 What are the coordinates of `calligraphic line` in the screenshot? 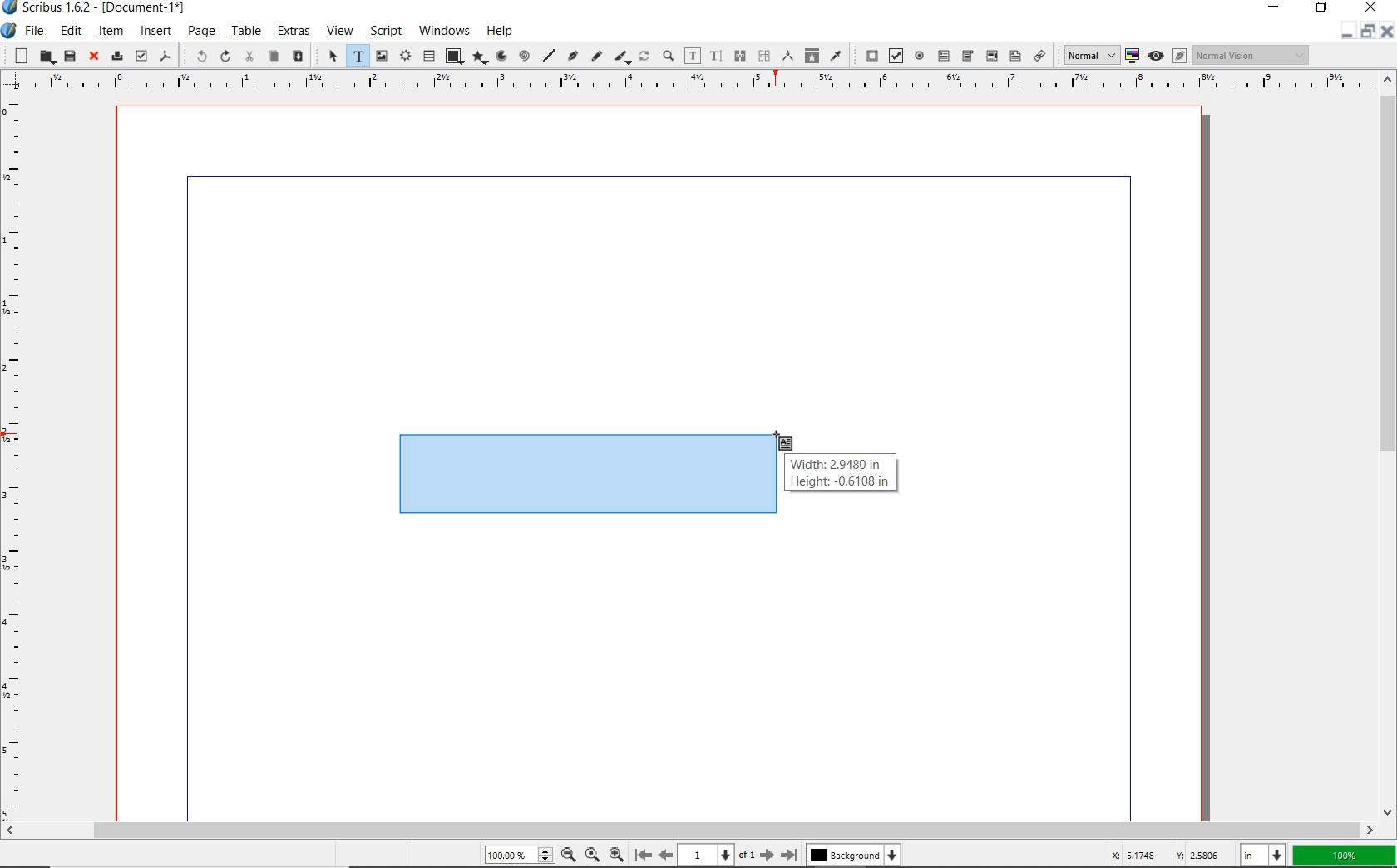 It's located at (622, 57).